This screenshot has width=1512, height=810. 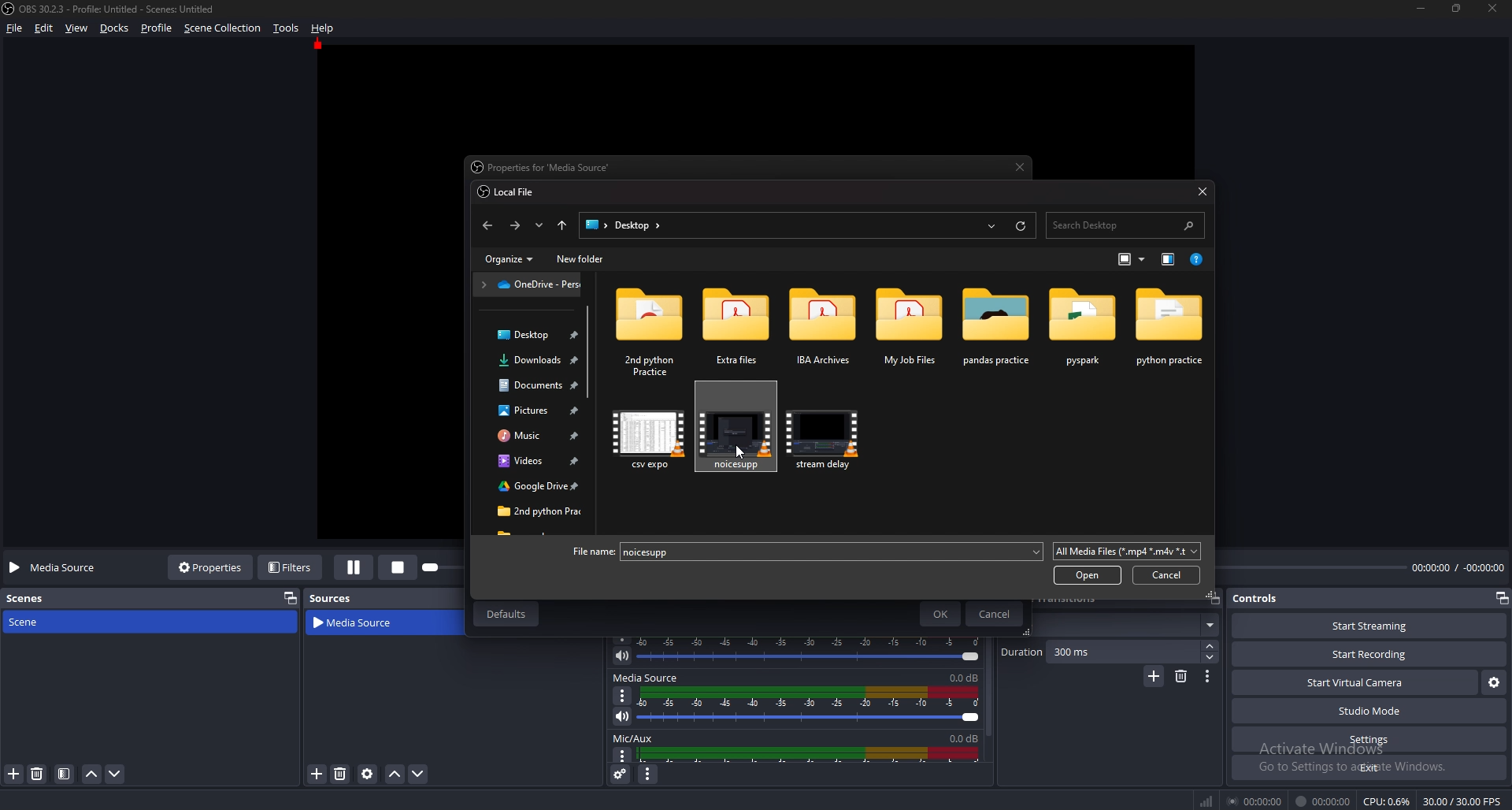 I want to click on mic/aux, so click(x=636, y=738).